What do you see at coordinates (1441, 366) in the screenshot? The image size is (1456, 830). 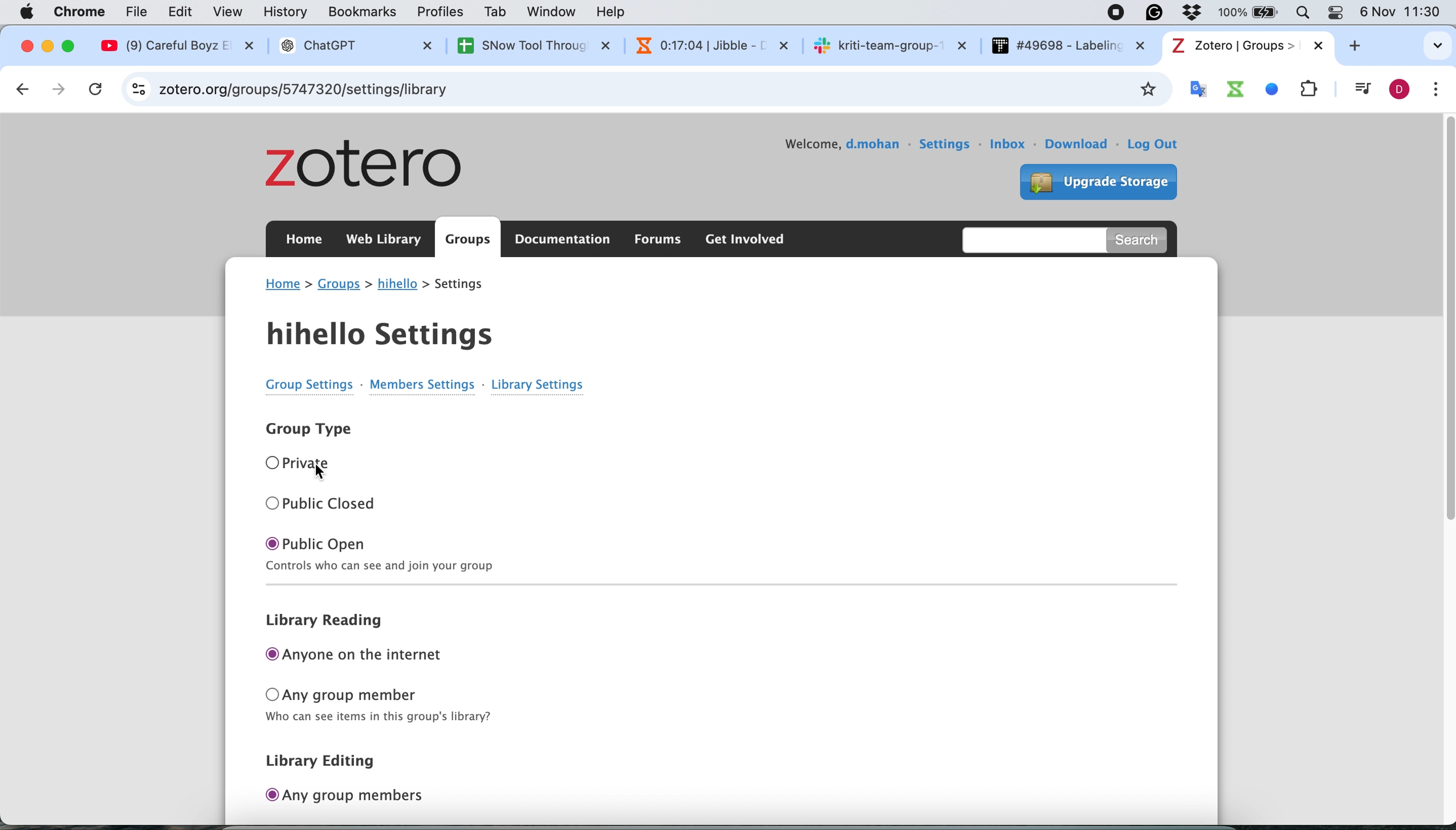 I see `vertical scroll bar` at bounding box center [1441, 366].